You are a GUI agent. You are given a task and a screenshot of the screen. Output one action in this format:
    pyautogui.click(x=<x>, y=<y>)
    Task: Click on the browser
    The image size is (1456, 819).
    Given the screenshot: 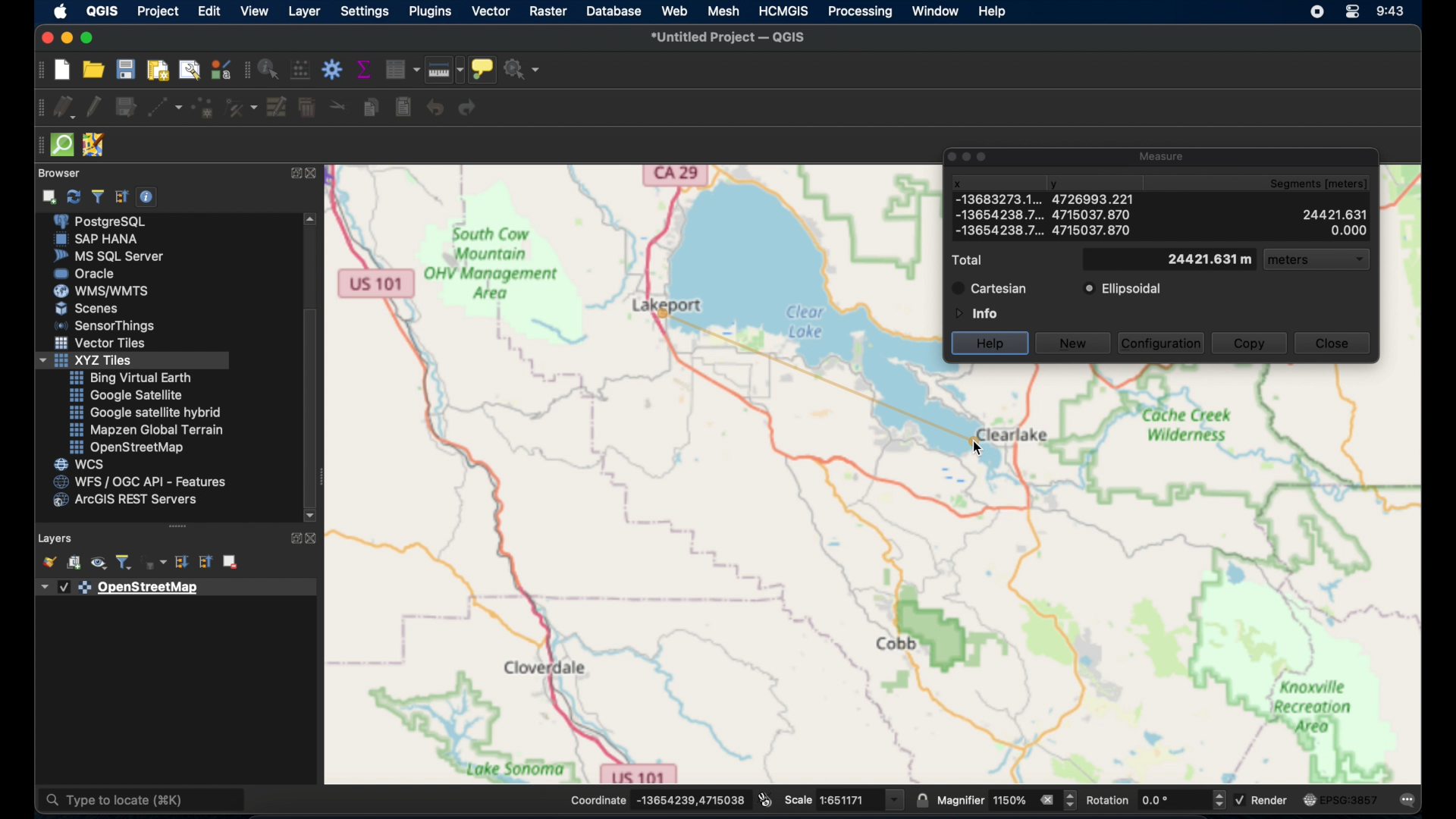 What is the action you would take?
    pyautogui.click(x=63, y=171)
    